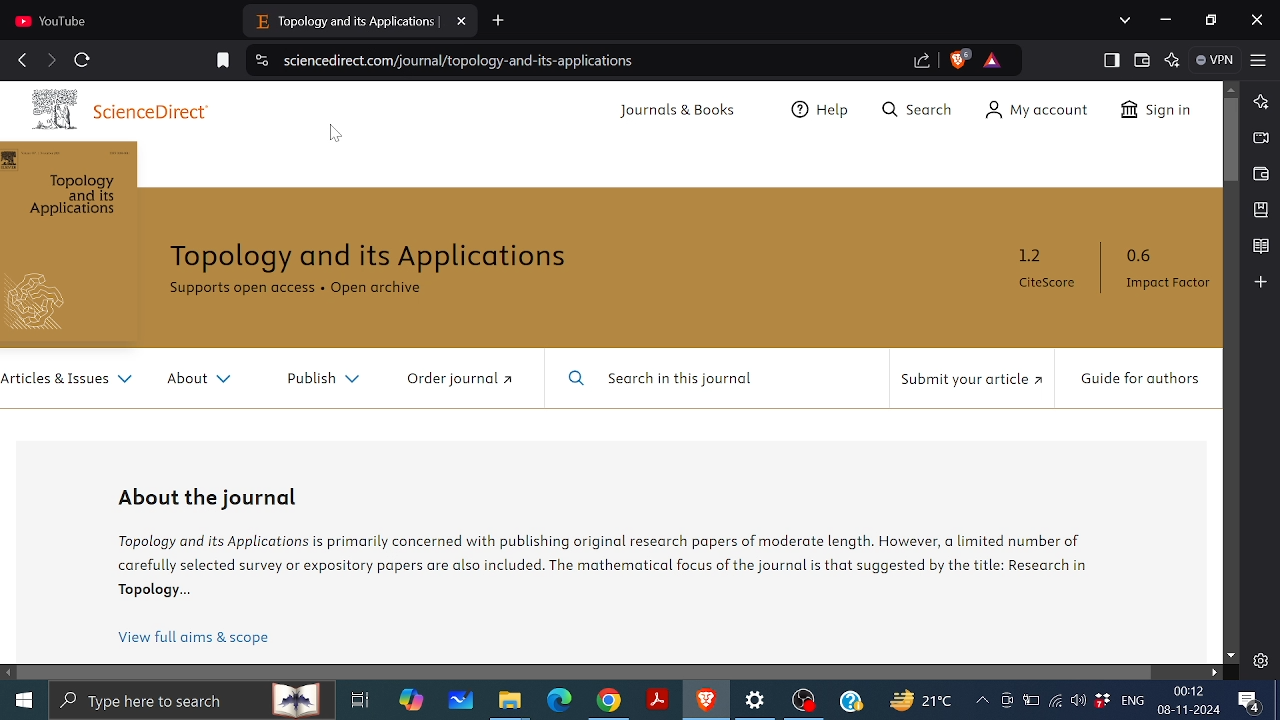 Image resolution: width=1280 pixels, height=720 pixels. What do you see at coordinates (465, 61) in the screenshot?
I see `Web address of the current page` at bounding box center [465, 61].